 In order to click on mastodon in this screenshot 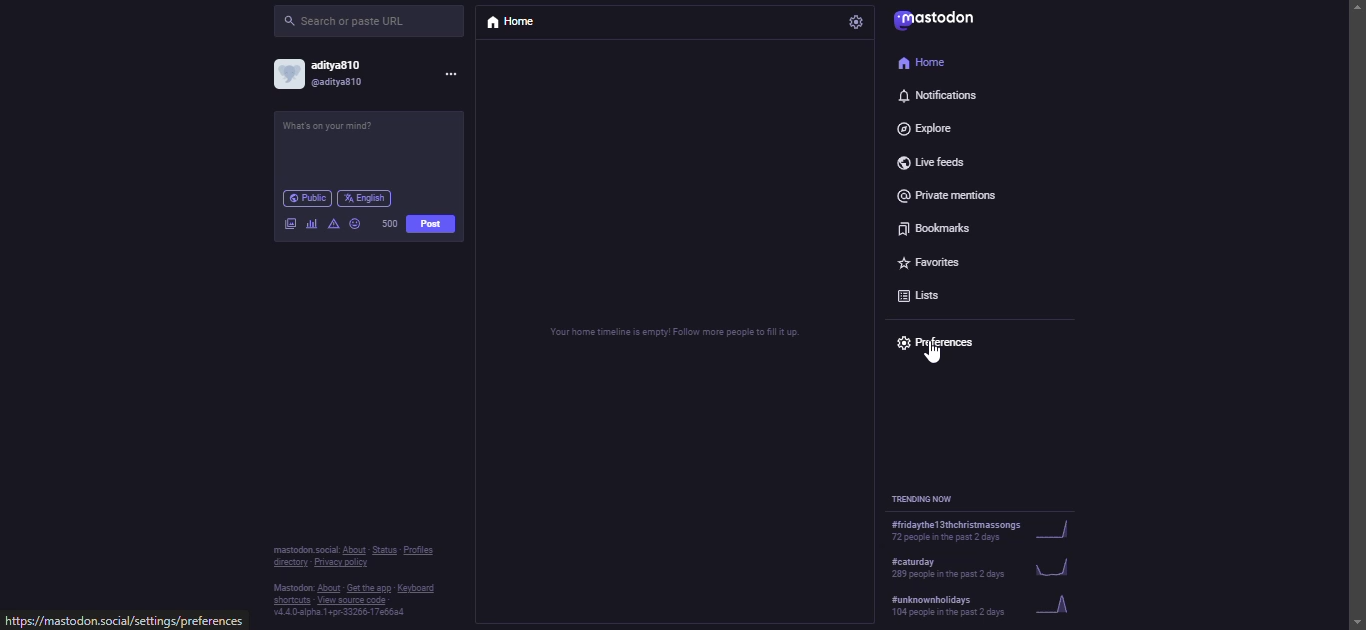, I will do `click(938, 20)`.